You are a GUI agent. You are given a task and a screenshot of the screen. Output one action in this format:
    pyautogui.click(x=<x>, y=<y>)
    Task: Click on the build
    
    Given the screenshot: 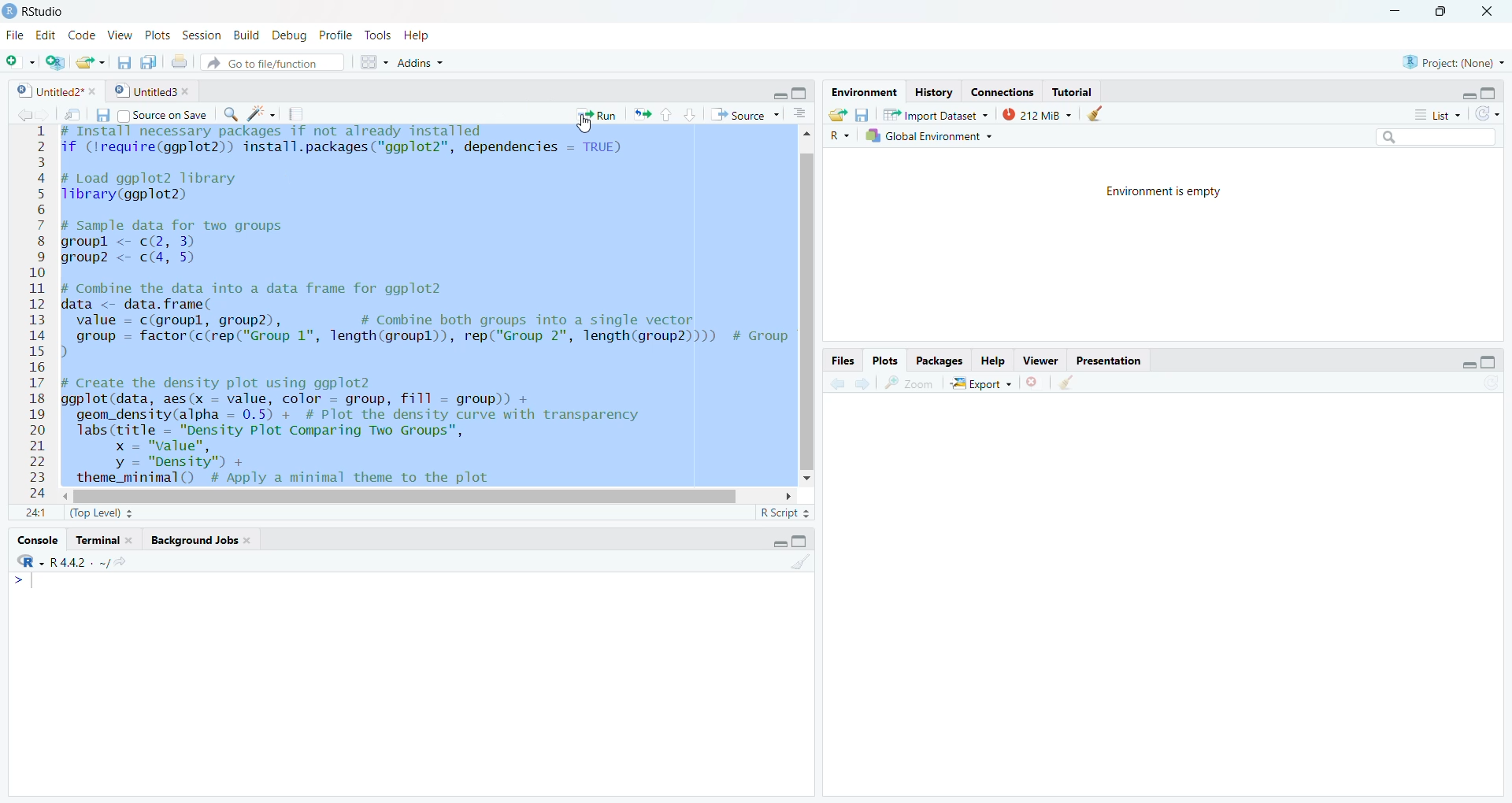 What is the action you would take?
    pyautogui.click(x=246, y=35)
    